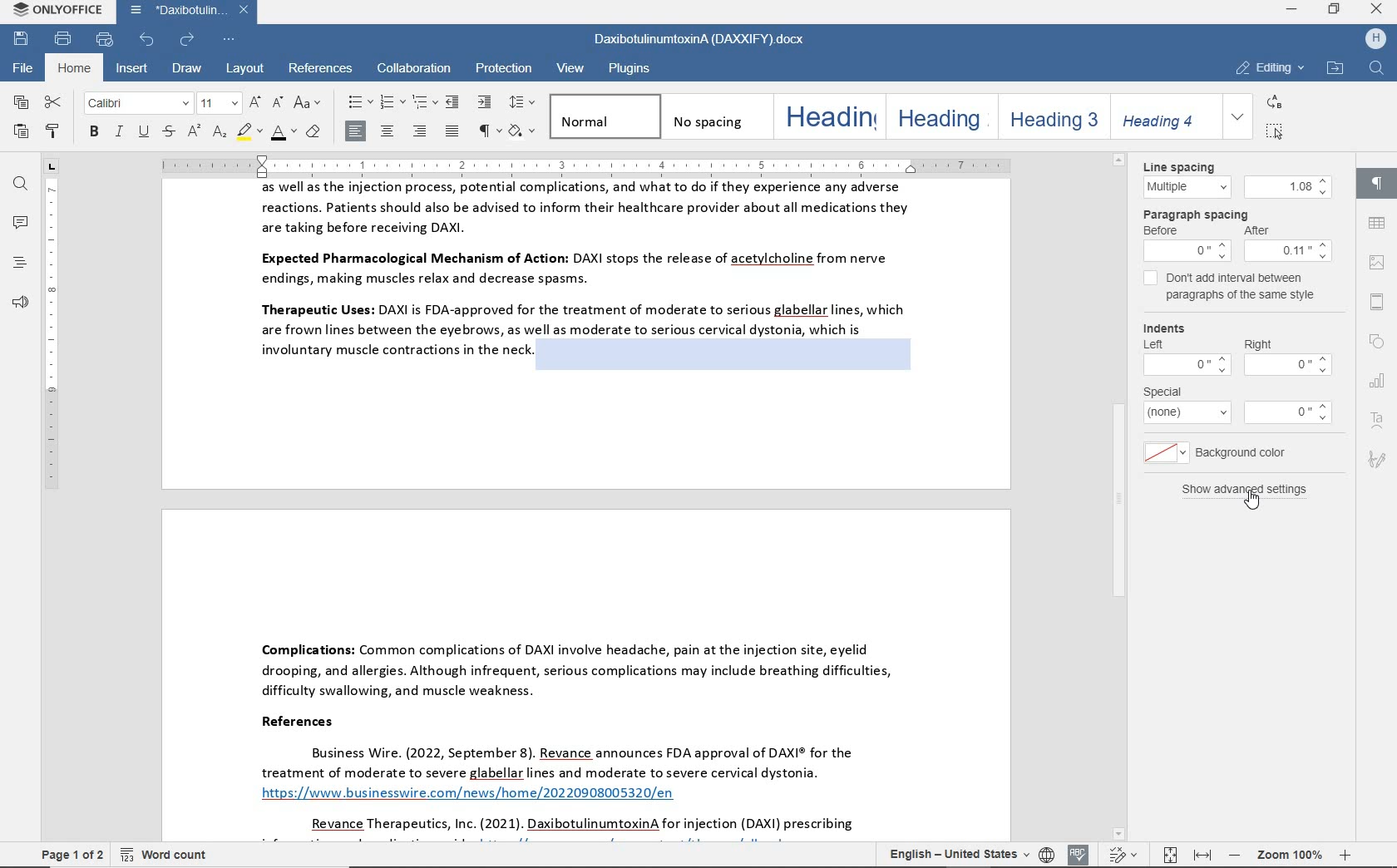  Describe the element at coordinates (455, 101) in the screenshot. I see `decrease indent` at that location.